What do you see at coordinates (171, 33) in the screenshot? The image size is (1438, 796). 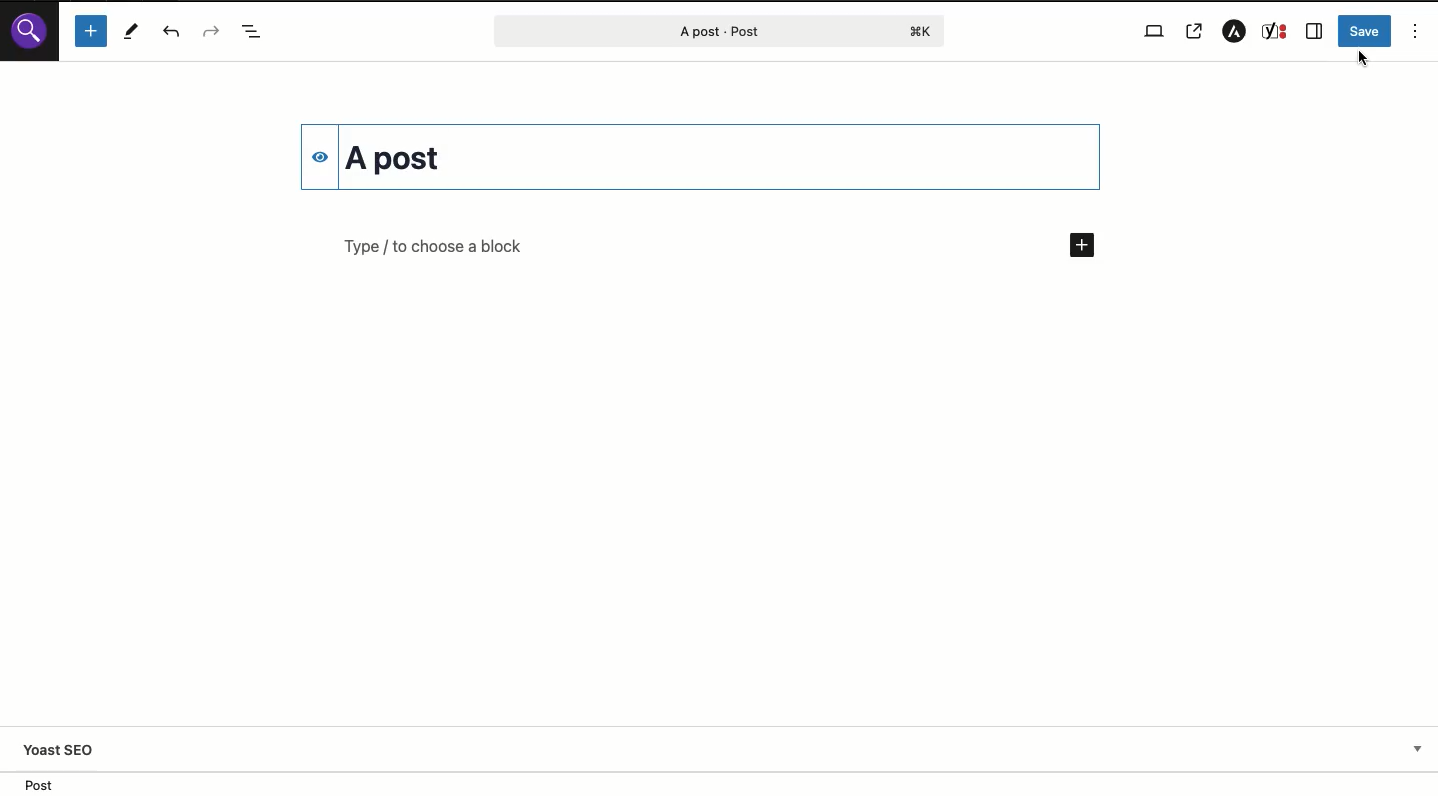 I see `UNDO` at bounding box center [171, 33].